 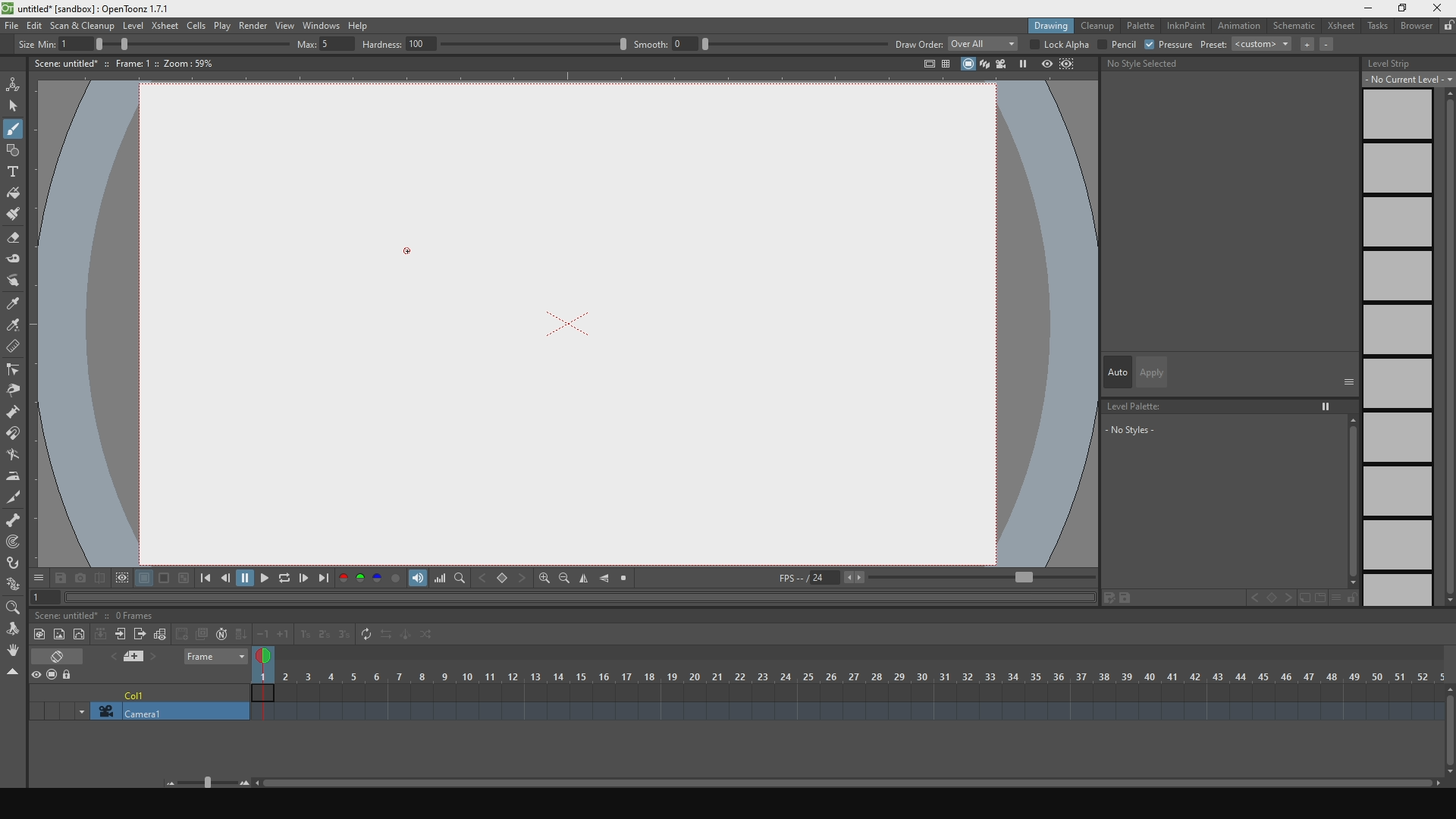 What do you see at coordinates (17, 149) in the screenshot?
I see `shape` at bounding box center [17, 149].